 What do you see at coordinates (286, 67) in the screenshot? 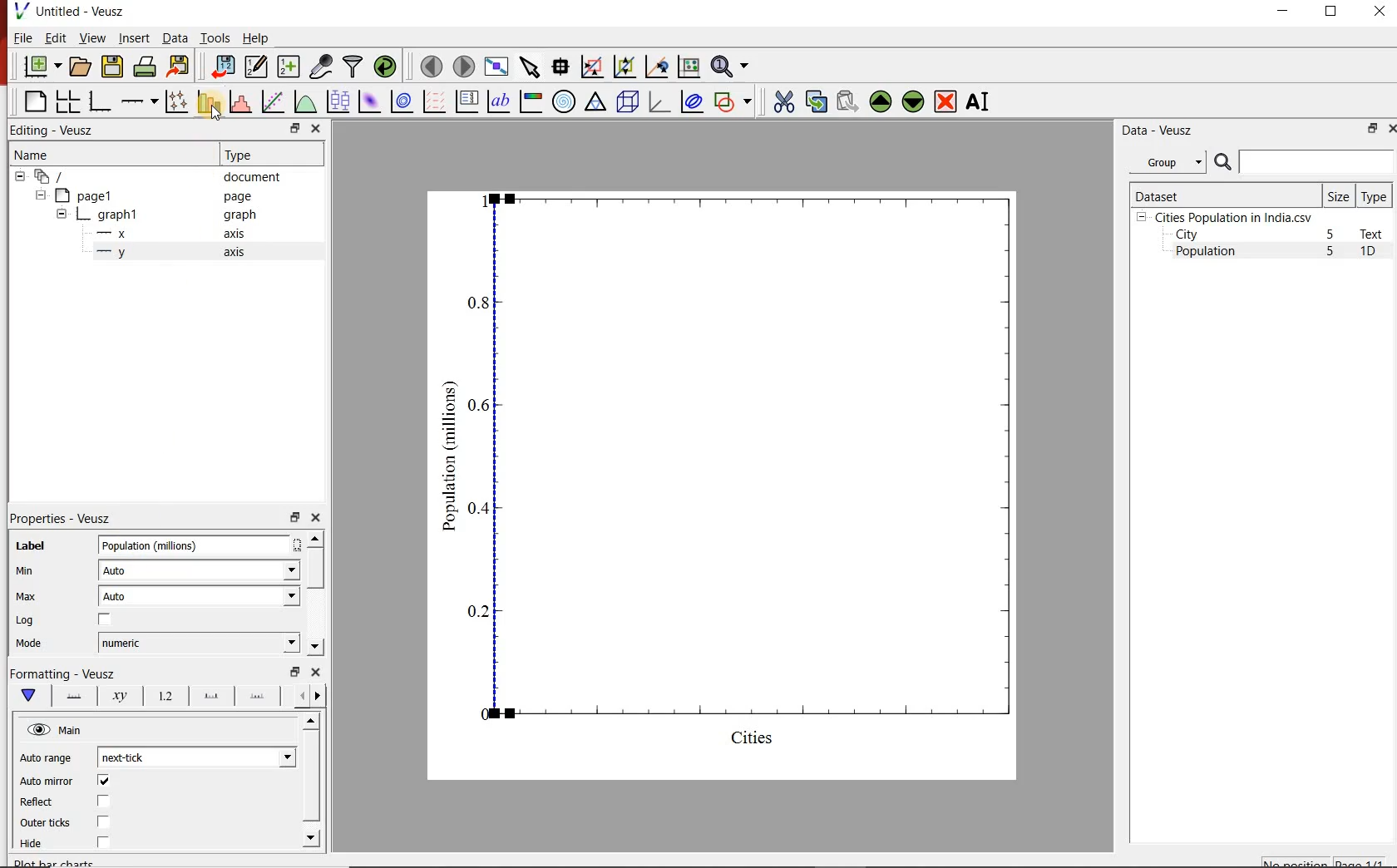
I see `create new datasets using available options` at bounding box center [286, 67].